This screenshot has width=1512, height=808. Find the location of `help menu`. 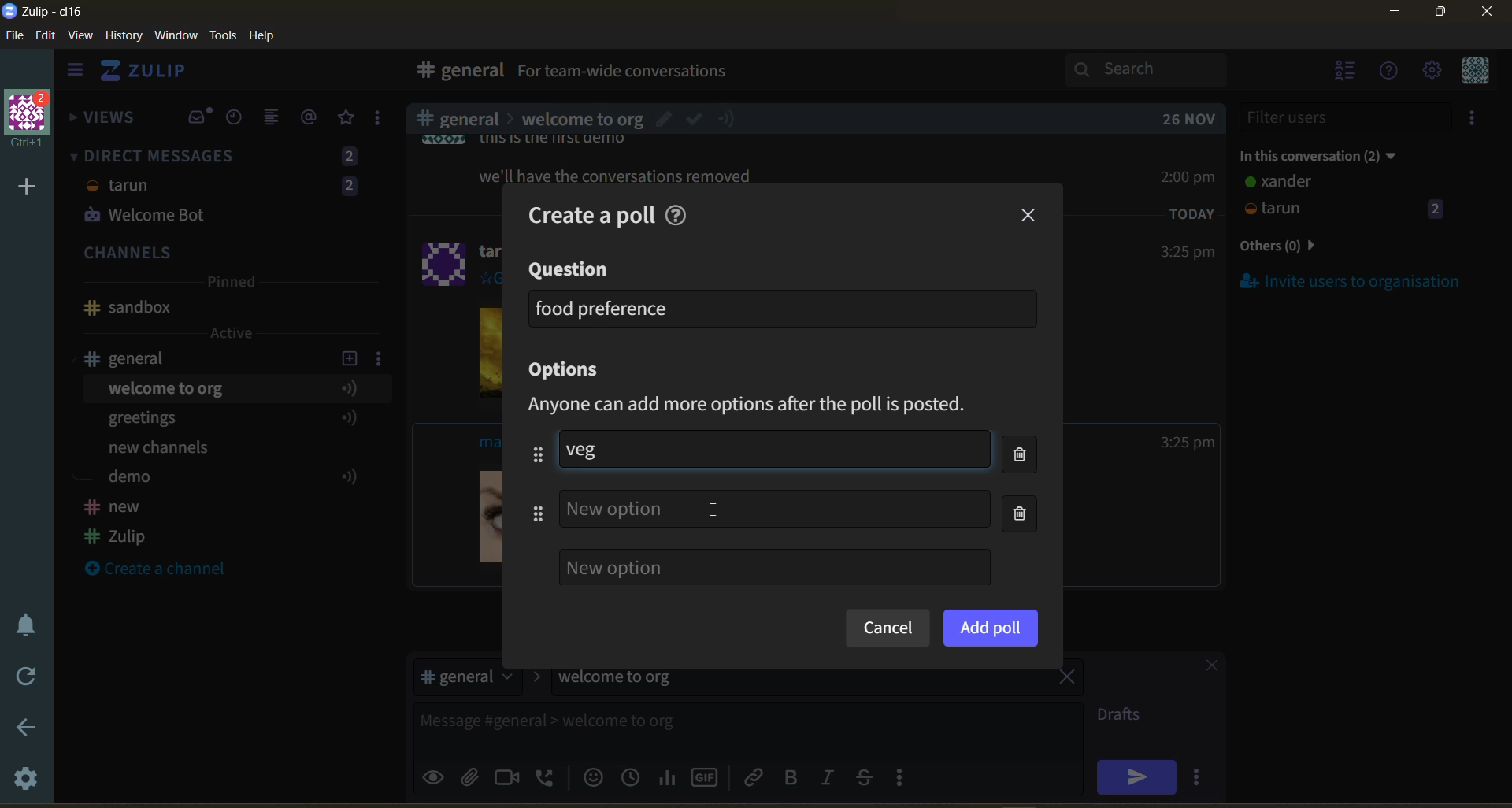

help menu is located at coordinates (1390, 72).